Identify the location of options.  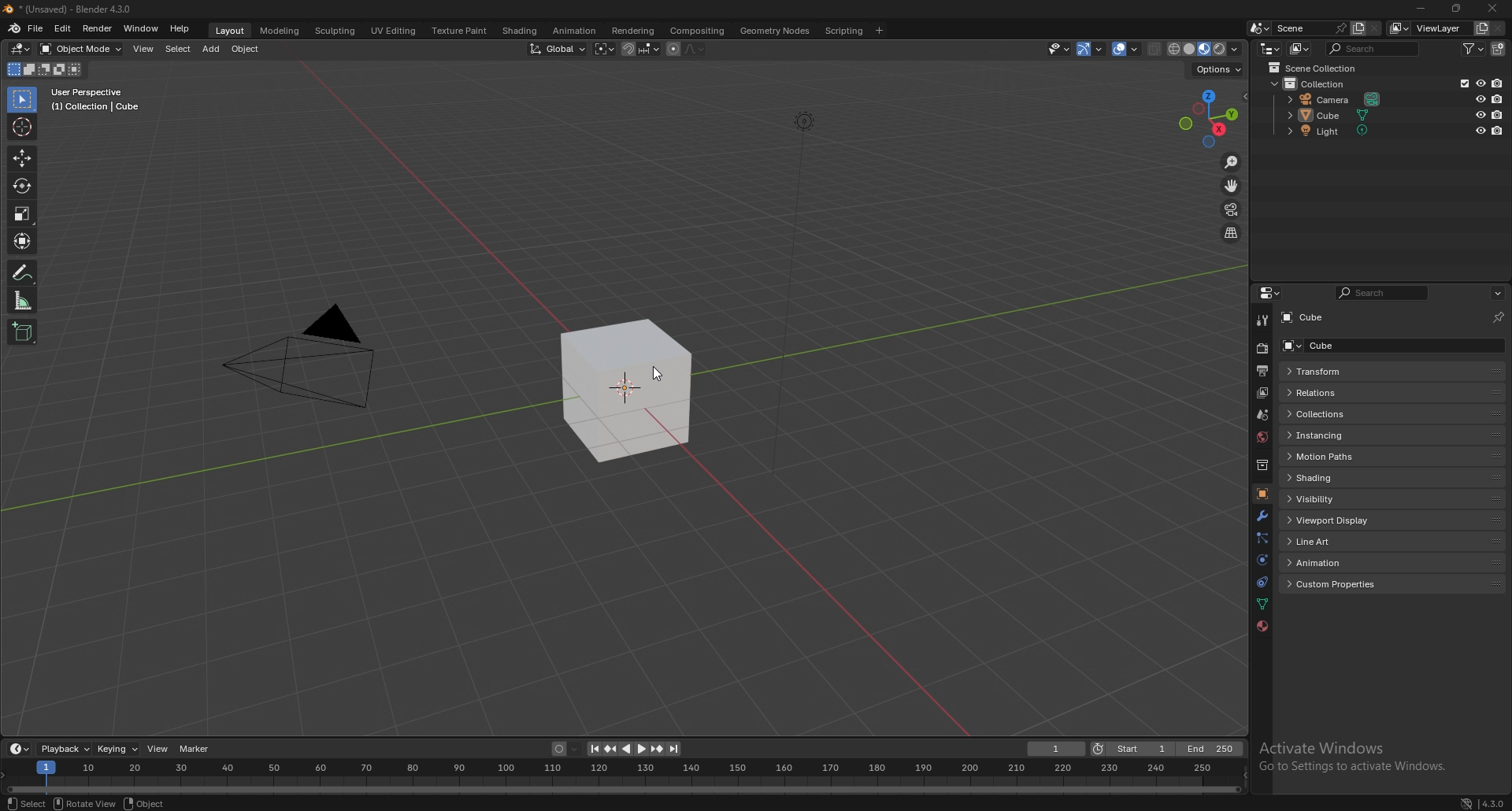
(1218, 69).